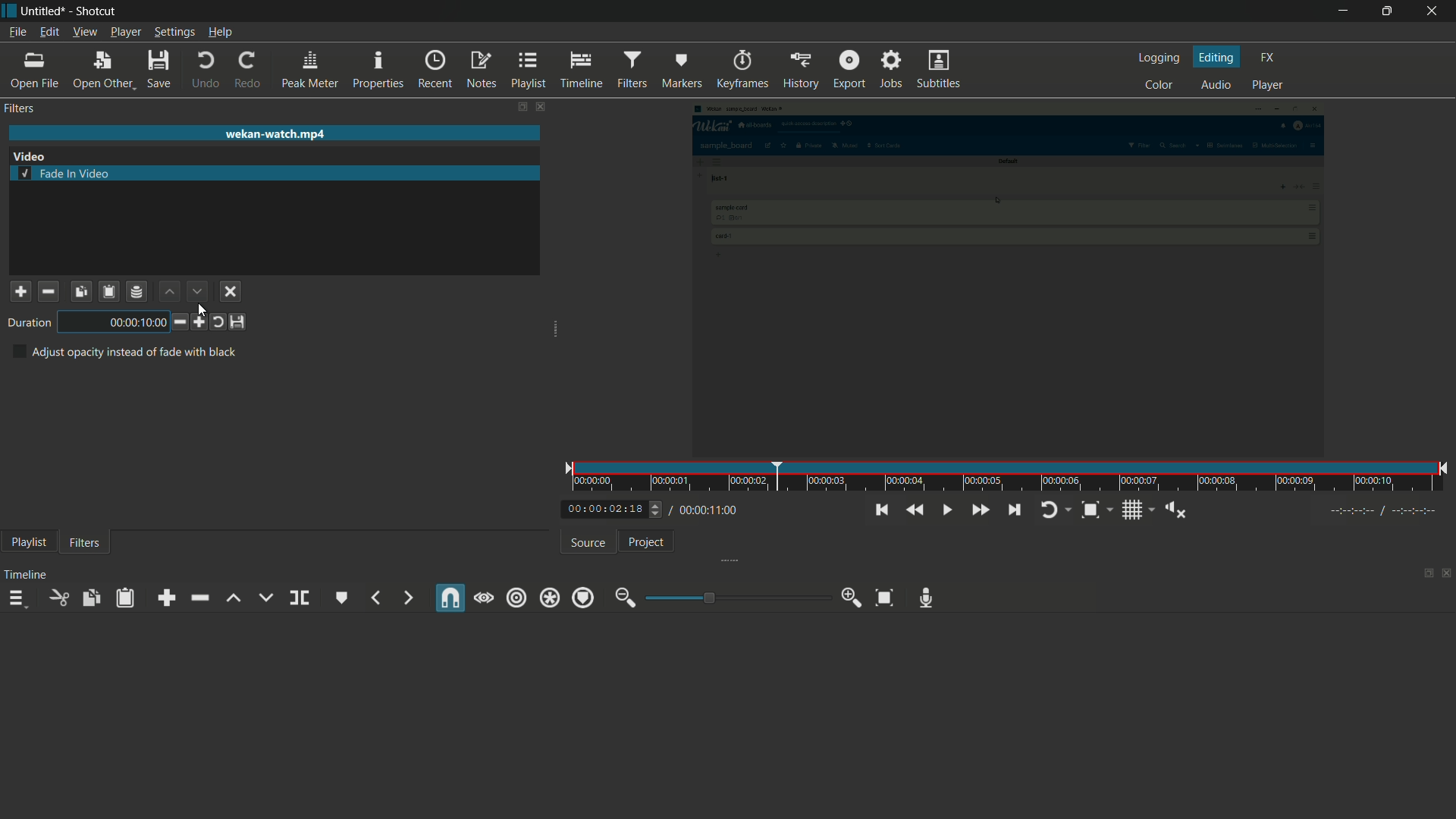 The image size is (1456, 819). Describe the element at coordinates (90, 598) in the screenshot. I see `copy checked filters` at that location.